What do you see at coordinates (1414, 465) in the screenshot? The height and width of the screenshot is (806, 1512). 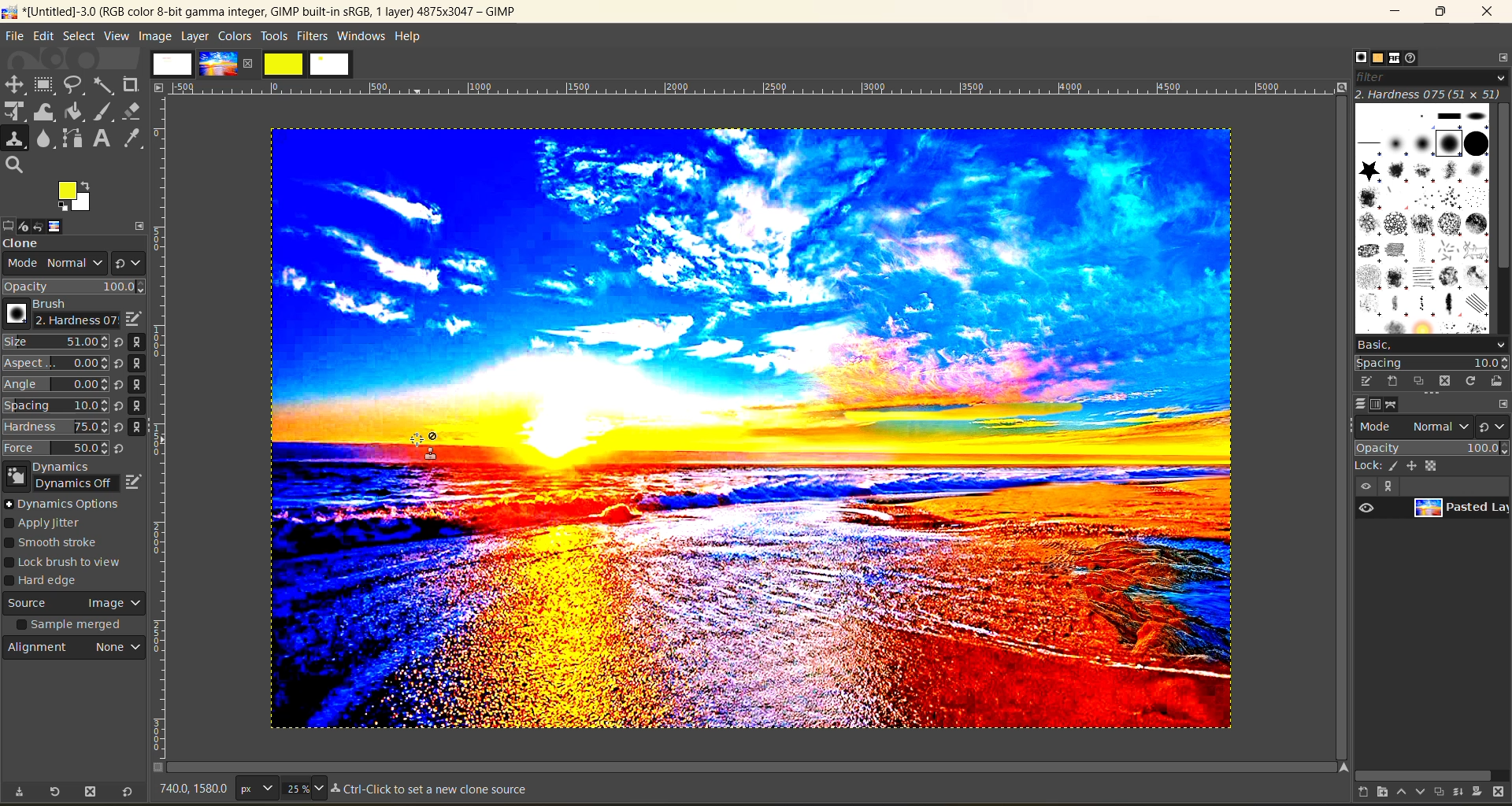 I see `position` at bounding box center [1414, 465].